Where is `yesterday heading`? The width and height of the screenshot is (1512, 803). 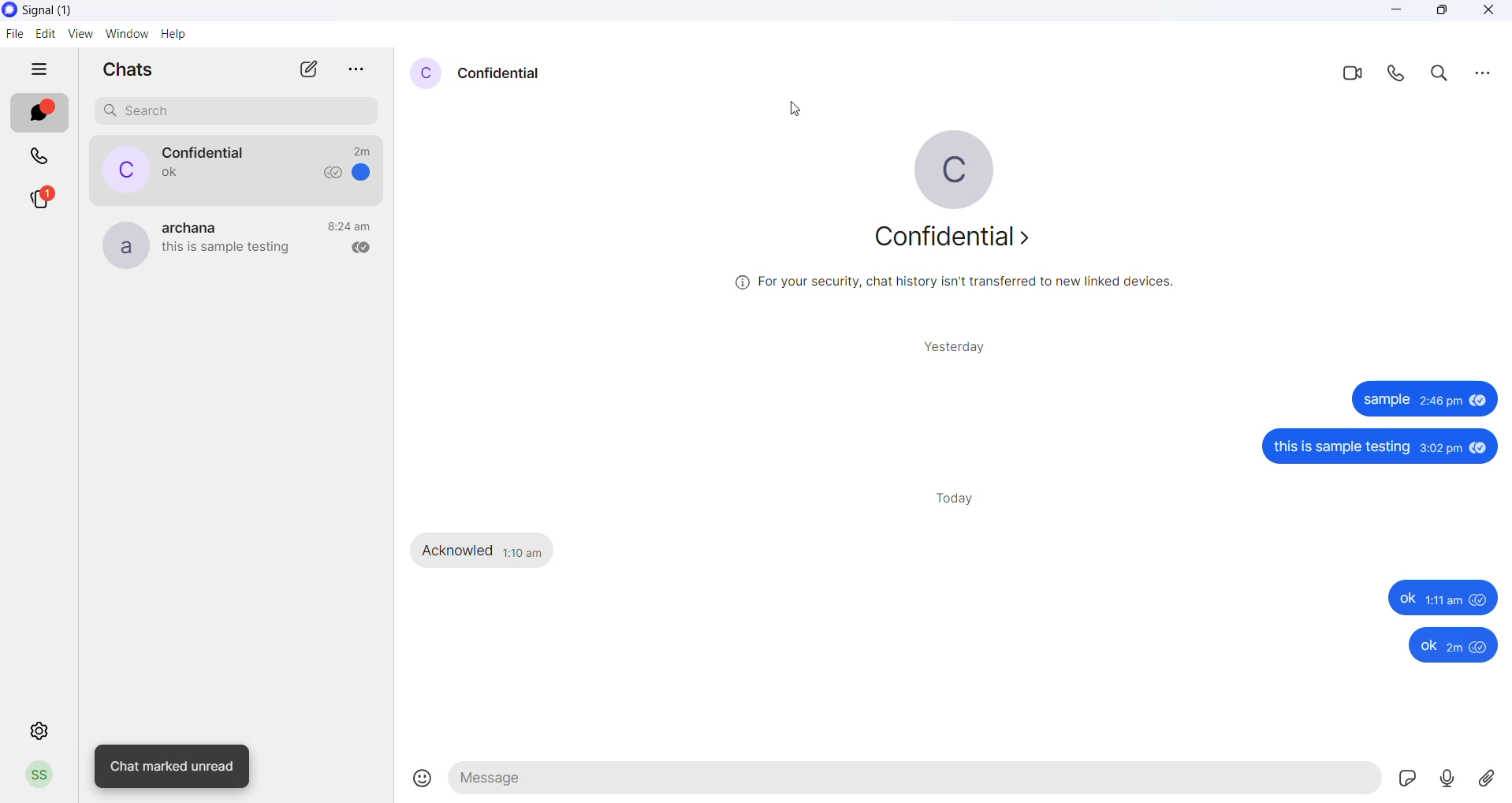
yesterday heading is located at coordinates (959, 346).